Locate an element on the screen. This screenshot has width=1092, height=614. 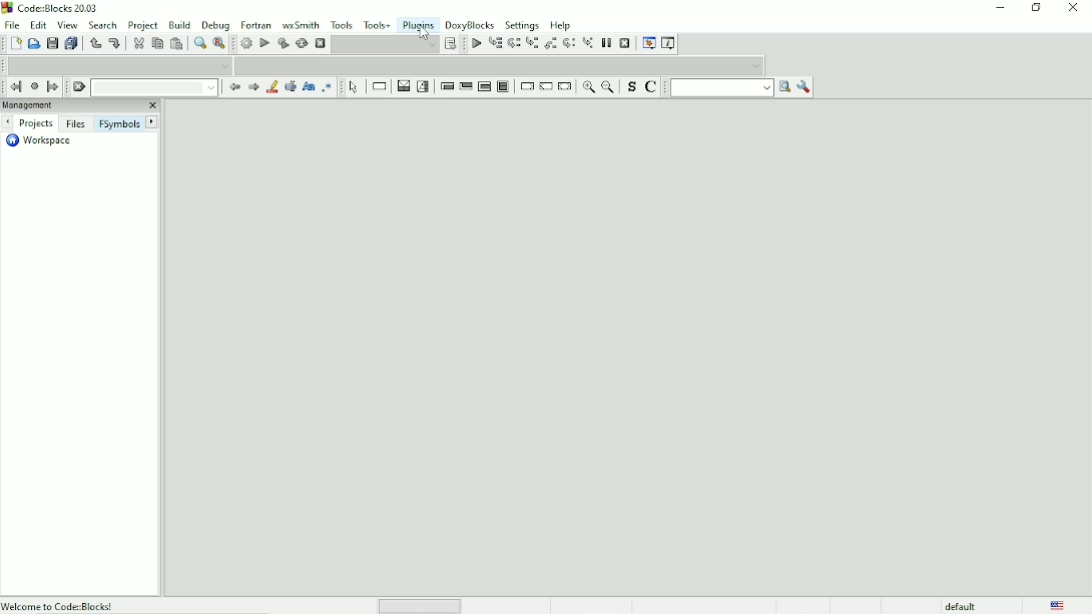
Settings is located at coordinates (523, 24).